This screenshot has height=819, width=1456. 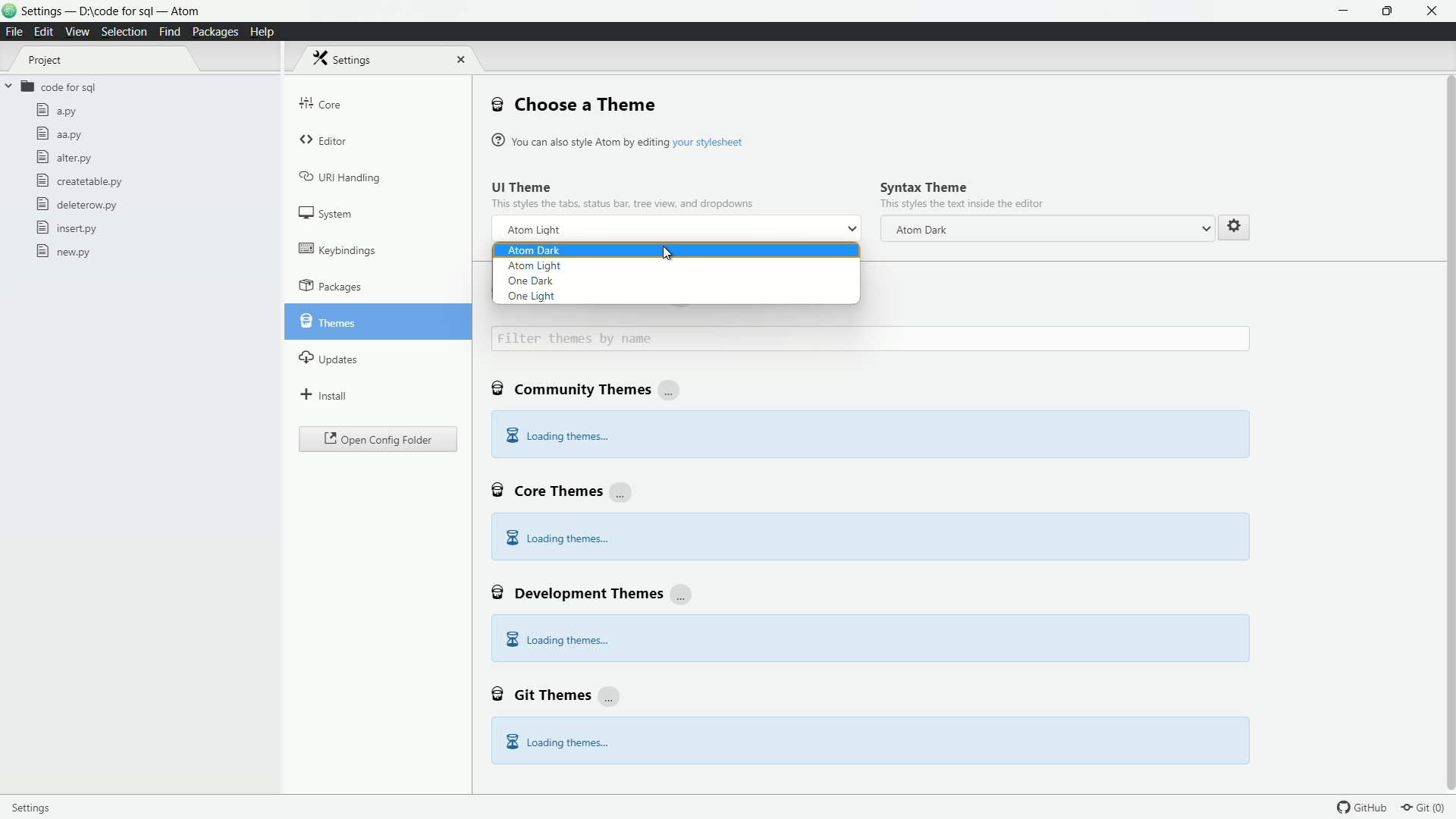 What do you see at coordinates (110, 12) in the screenshot?
I see `project - D:\code for sql - atom` at bounding box center [110, 12].